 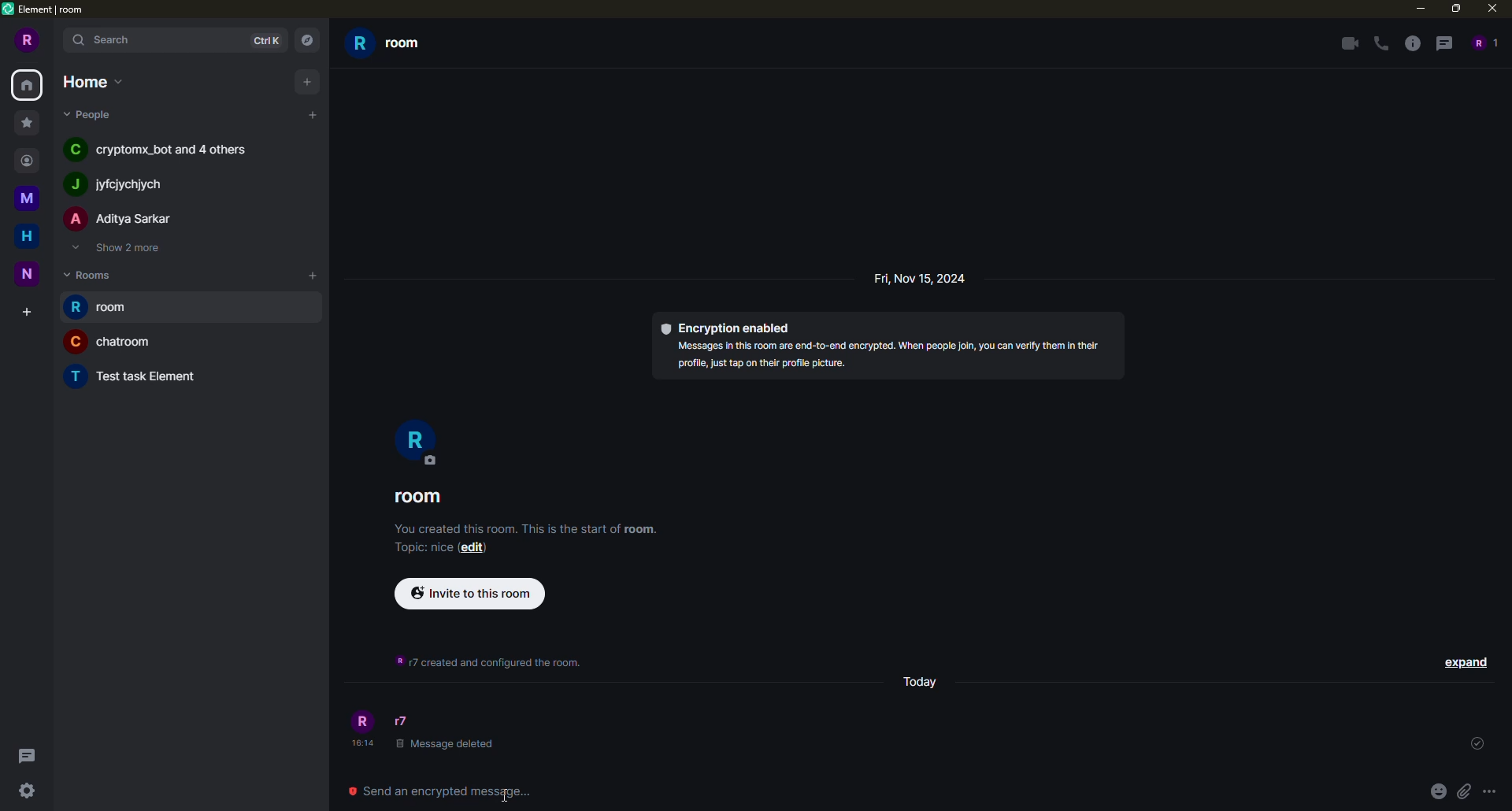 I want to click on more, so click(x=1488, y=791).